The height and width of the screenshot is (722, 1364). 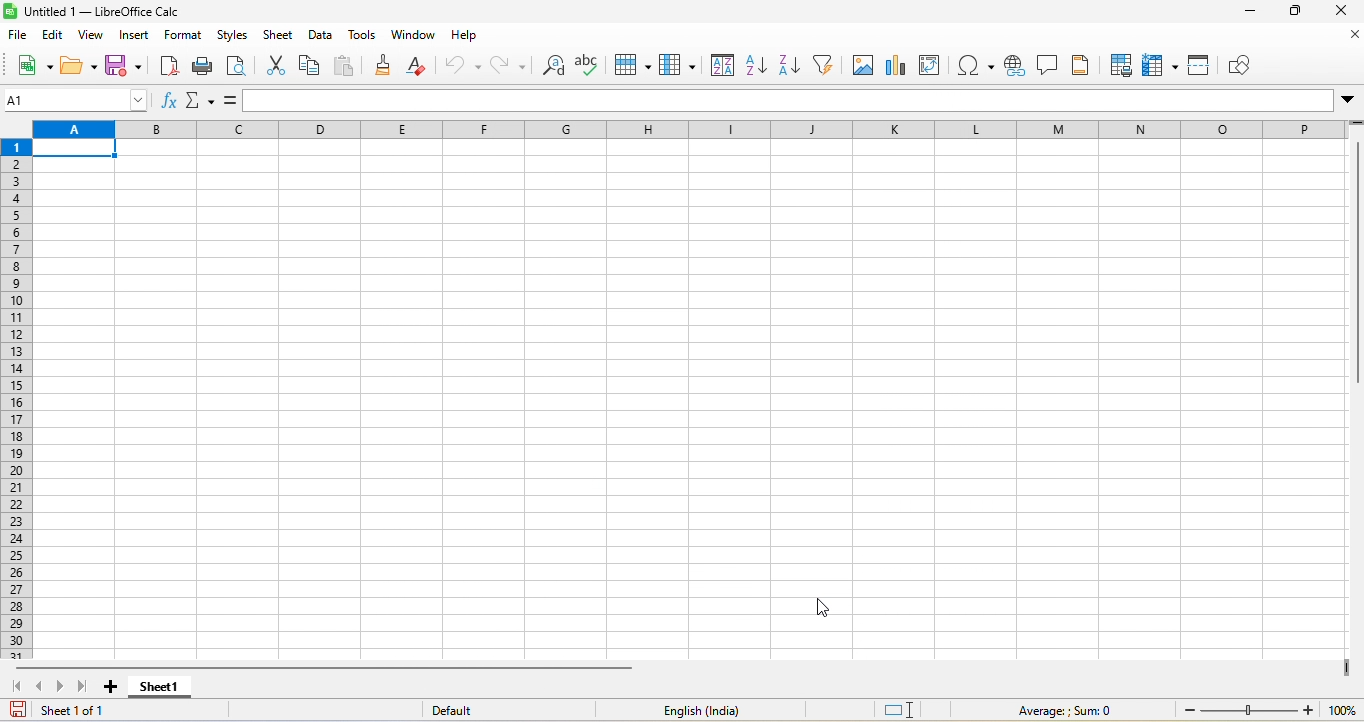 What do you see at coordinates (686, 129) in the screenshot?
I see `column headings` at bounding box center [686, 129].